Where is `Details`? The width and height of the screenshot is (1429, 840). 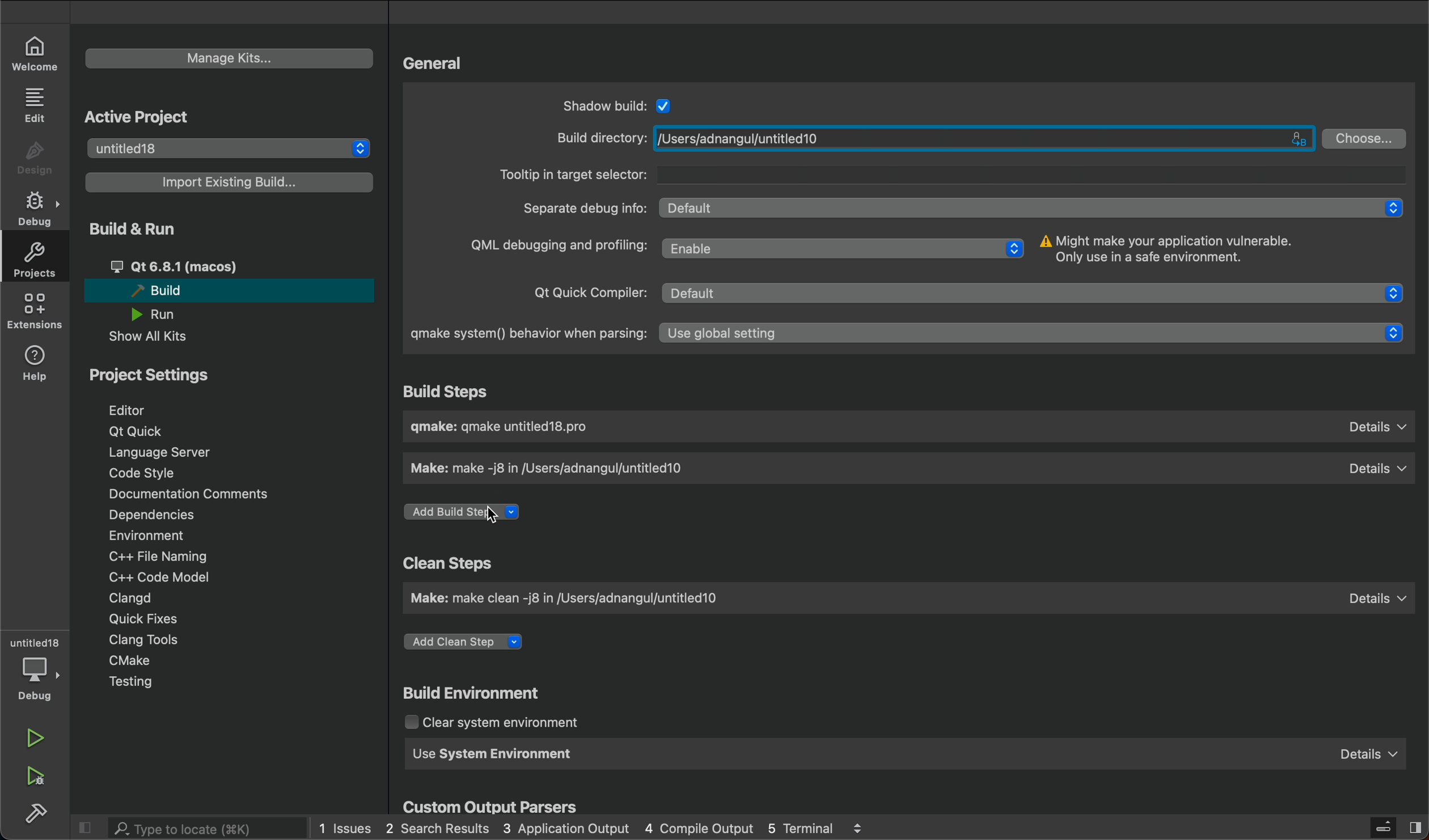
Details is located at coordinates (1378, 427).